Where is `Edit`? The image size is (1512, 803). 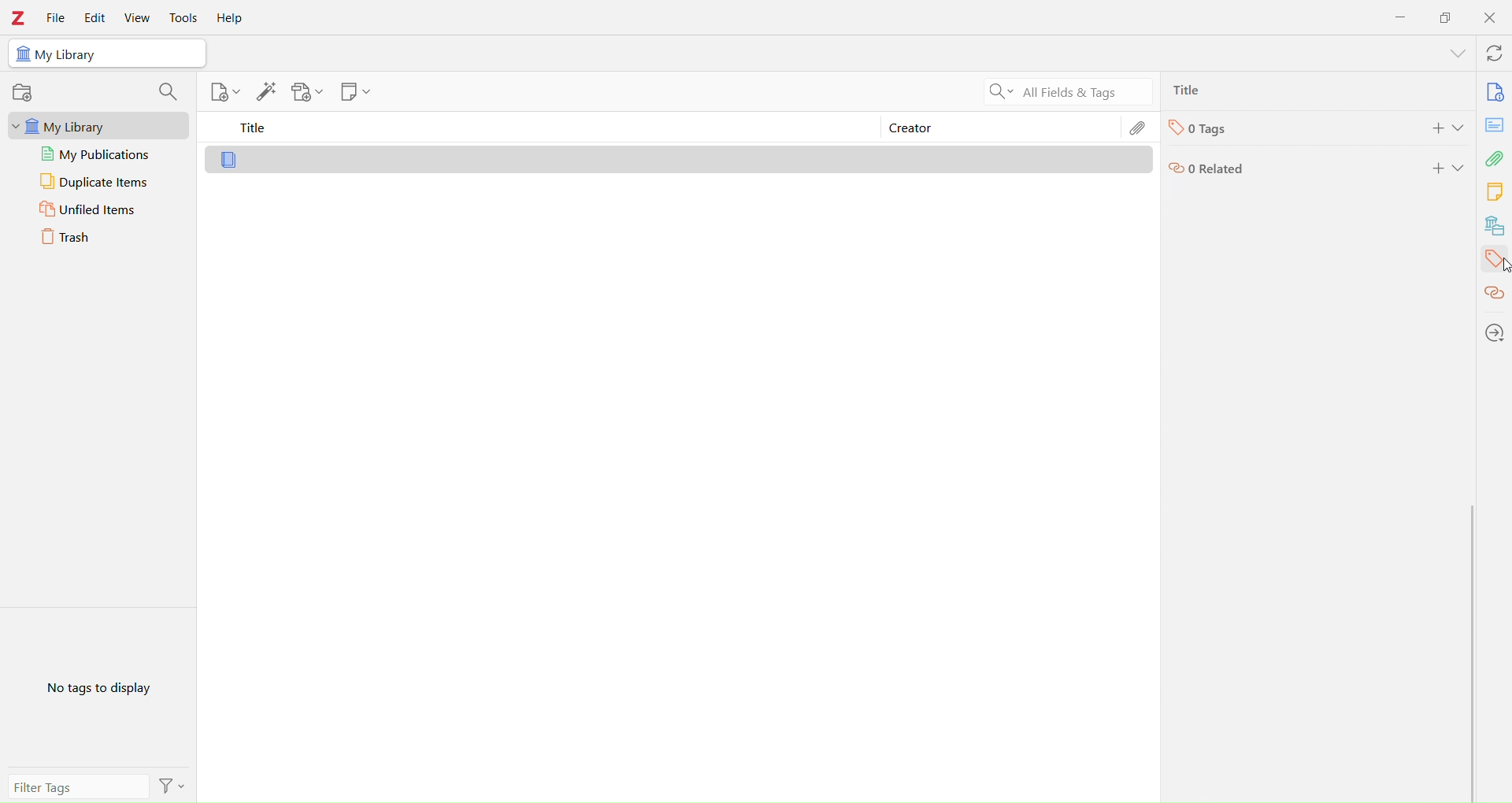
Edit is located at coordinates (1140, 128).